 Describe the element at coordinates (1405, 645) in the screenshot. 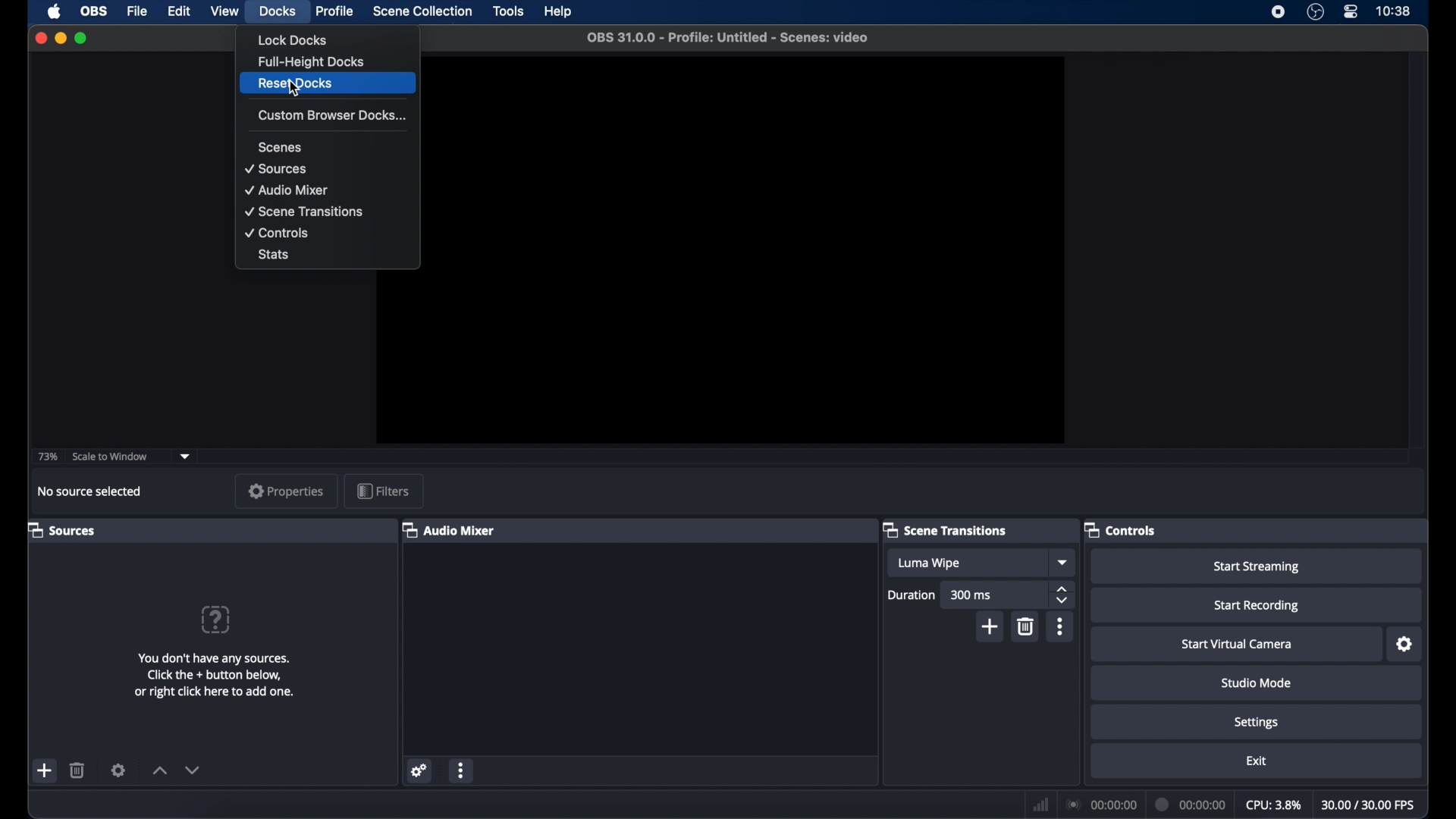

I see `settings` at that location.